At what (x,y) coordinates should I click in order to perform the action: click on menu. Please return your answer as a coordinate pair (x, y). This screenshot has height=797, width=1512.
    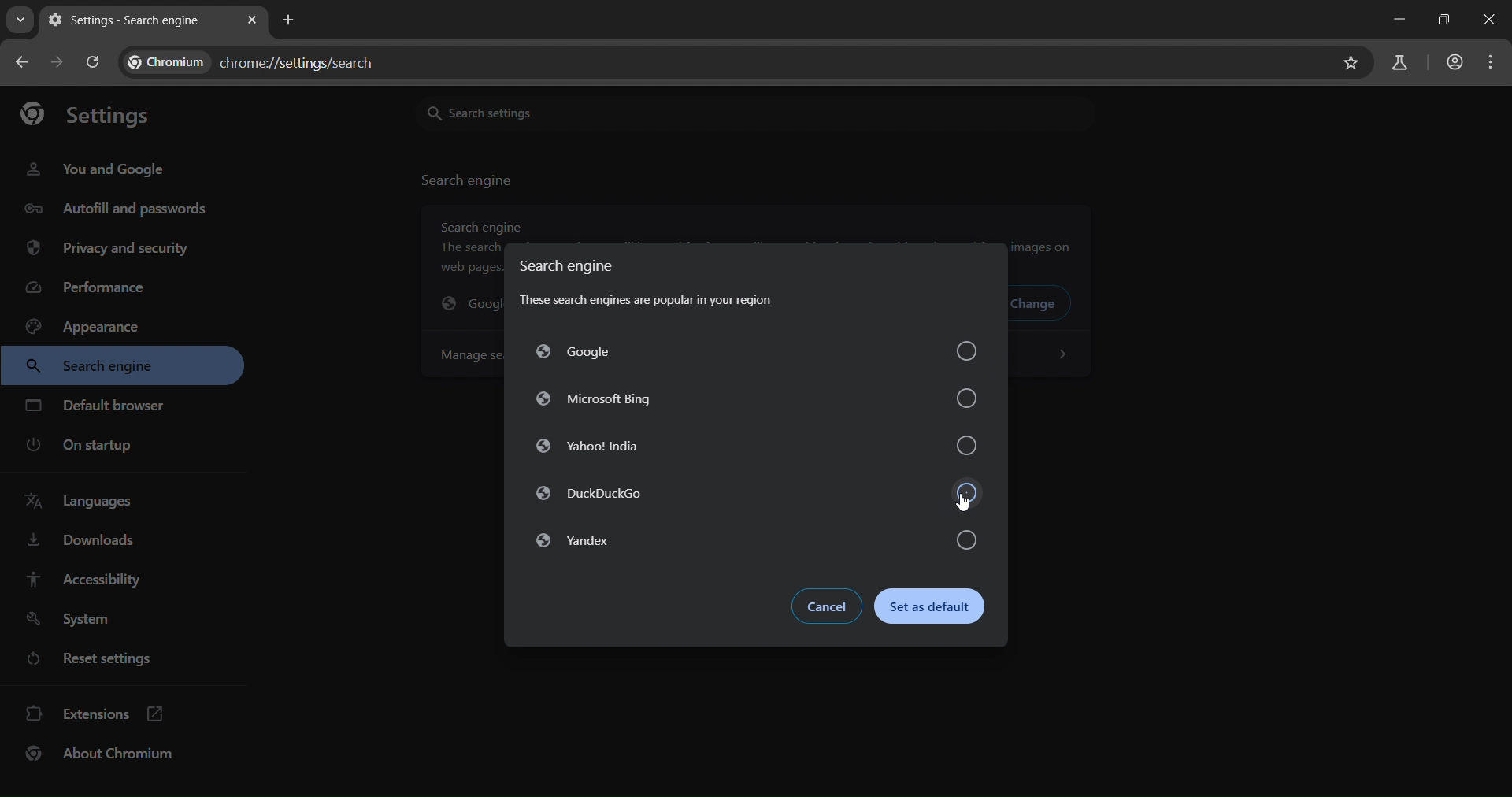
    Looking at the image, I should click on (1492, 63).